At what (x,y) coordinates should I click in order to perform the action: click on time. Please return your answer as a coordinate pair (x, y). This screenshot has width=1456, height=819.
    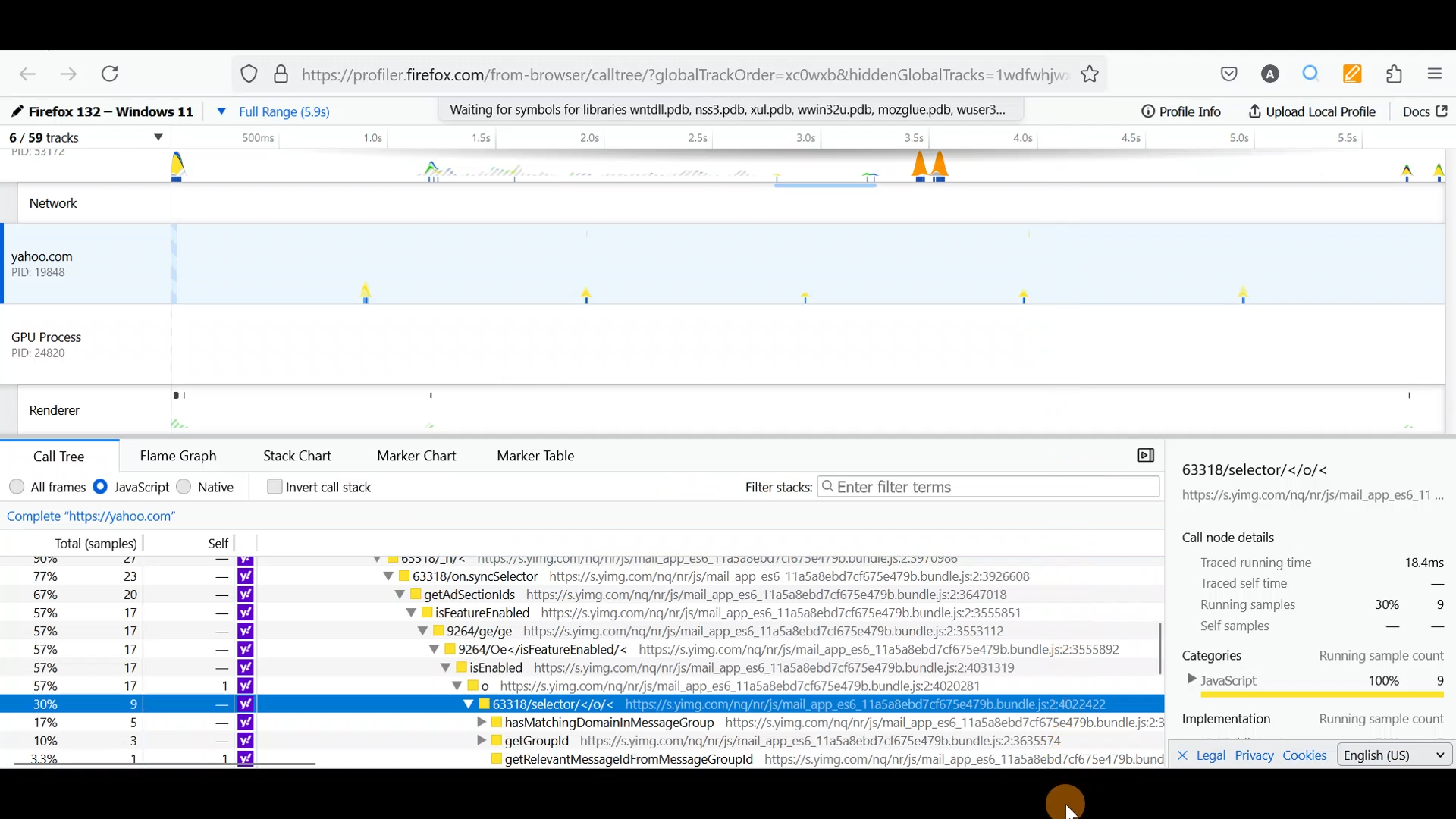
    Looking at the image, I should click on (809, 140).